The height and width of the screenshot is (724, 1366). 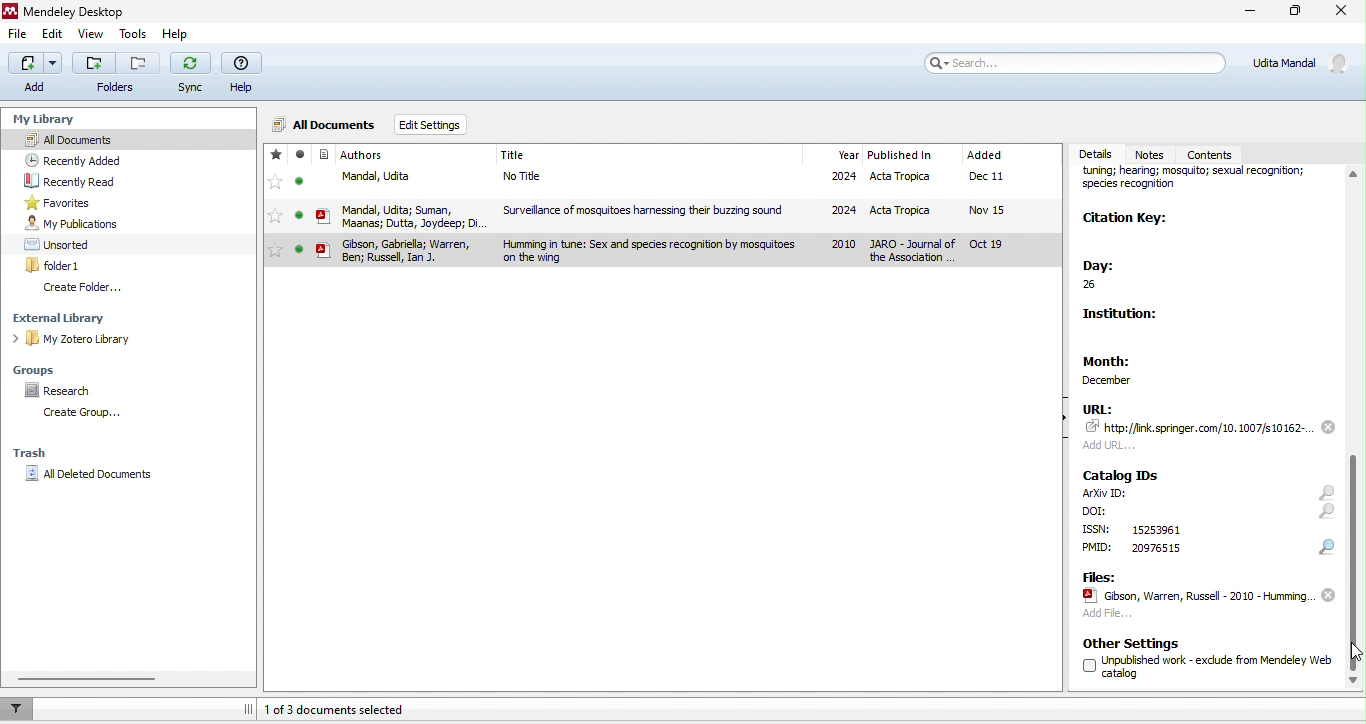 What do you see at coordinates (300, 186) in the screenshot?
I see `seen/unseen` at bounding box center [300, 186].